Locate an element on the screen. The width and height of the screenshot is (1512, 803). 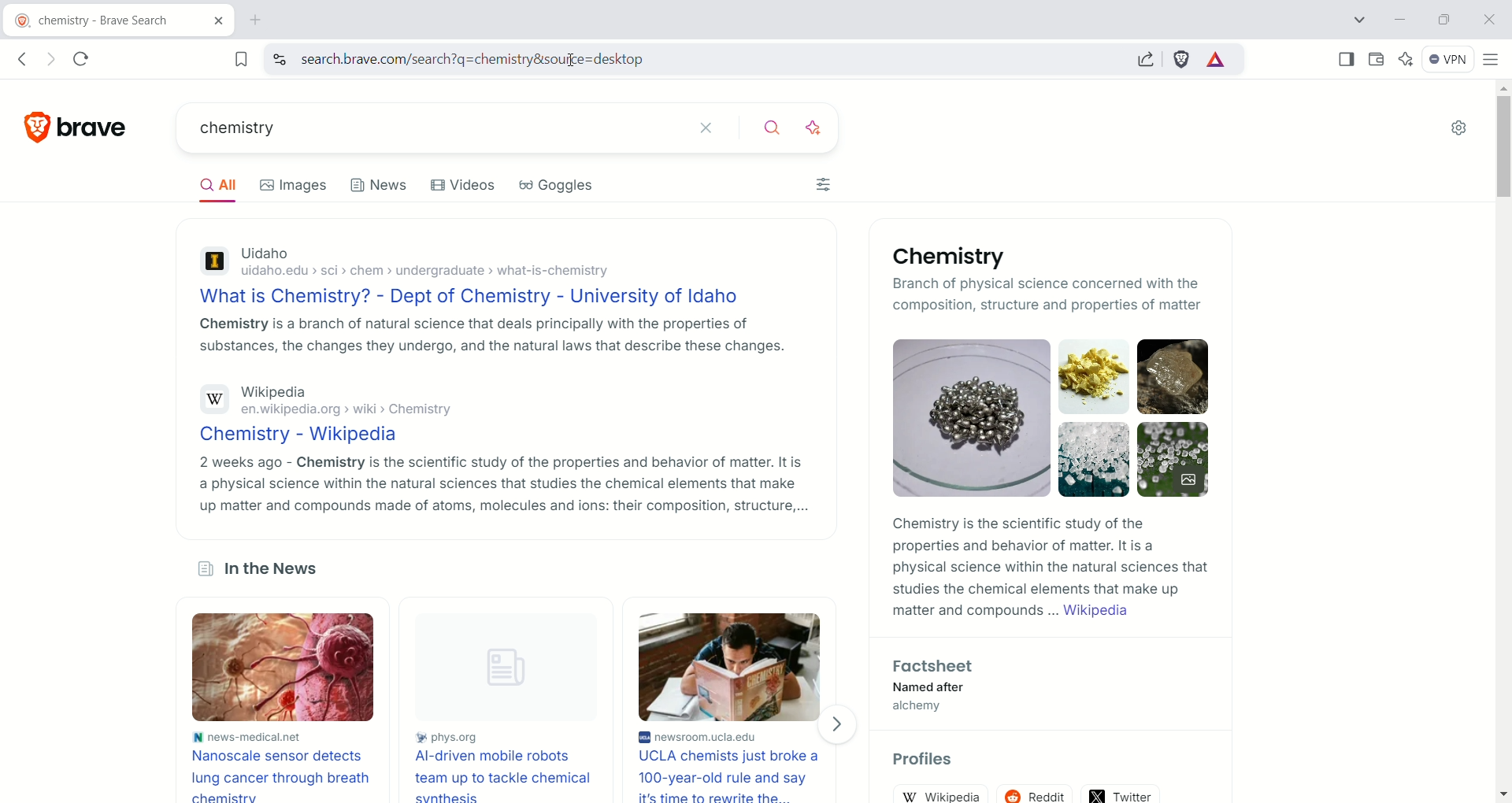
uidaho logo is located at coordinates (213, 264).